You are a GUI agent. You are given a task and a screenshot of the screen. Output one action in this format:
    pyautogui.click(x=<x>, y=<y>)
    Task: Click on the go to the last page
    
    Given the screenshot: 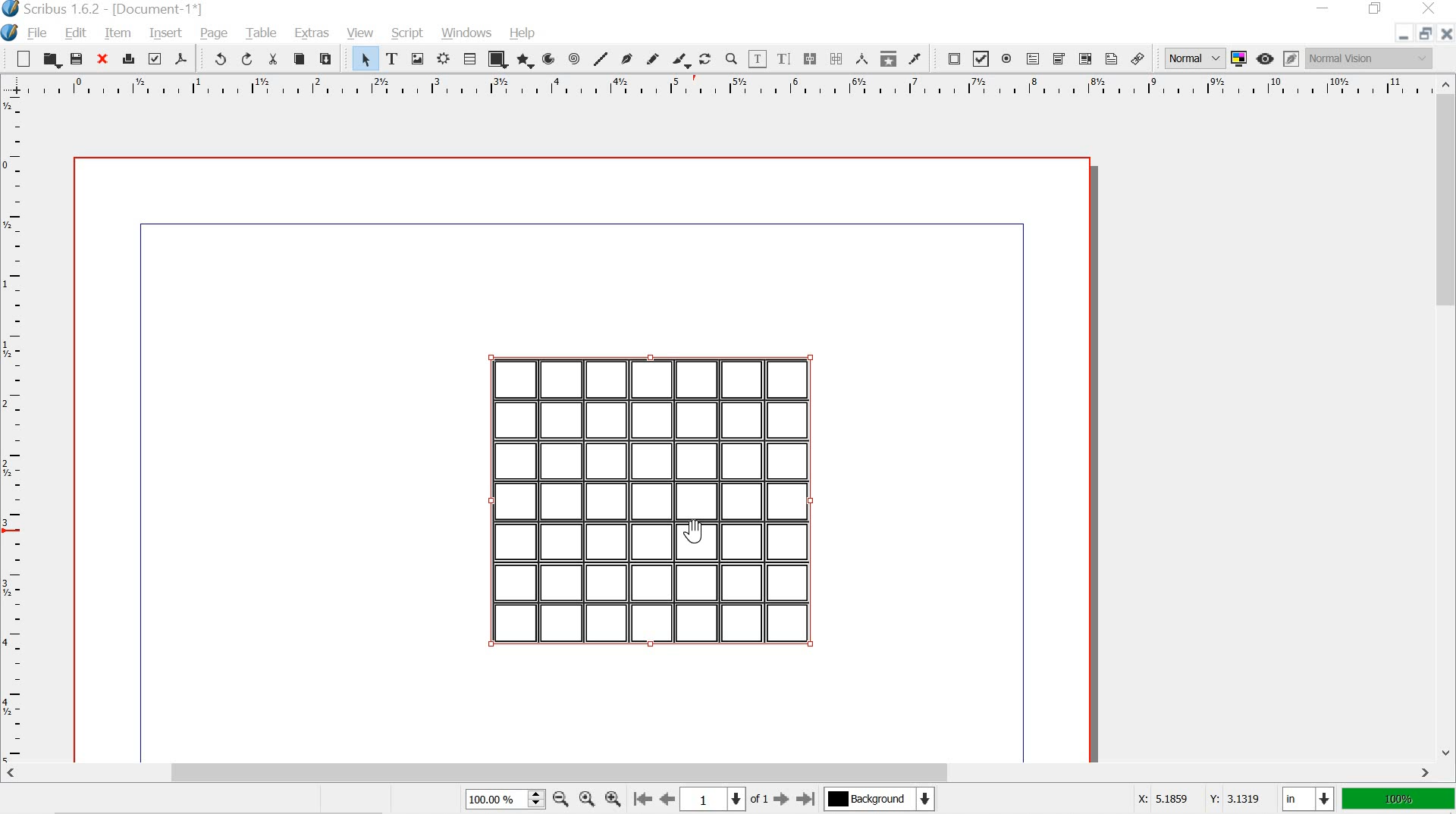 What is the action you would take?
    pyautogui.click(x=806, y=797)
    